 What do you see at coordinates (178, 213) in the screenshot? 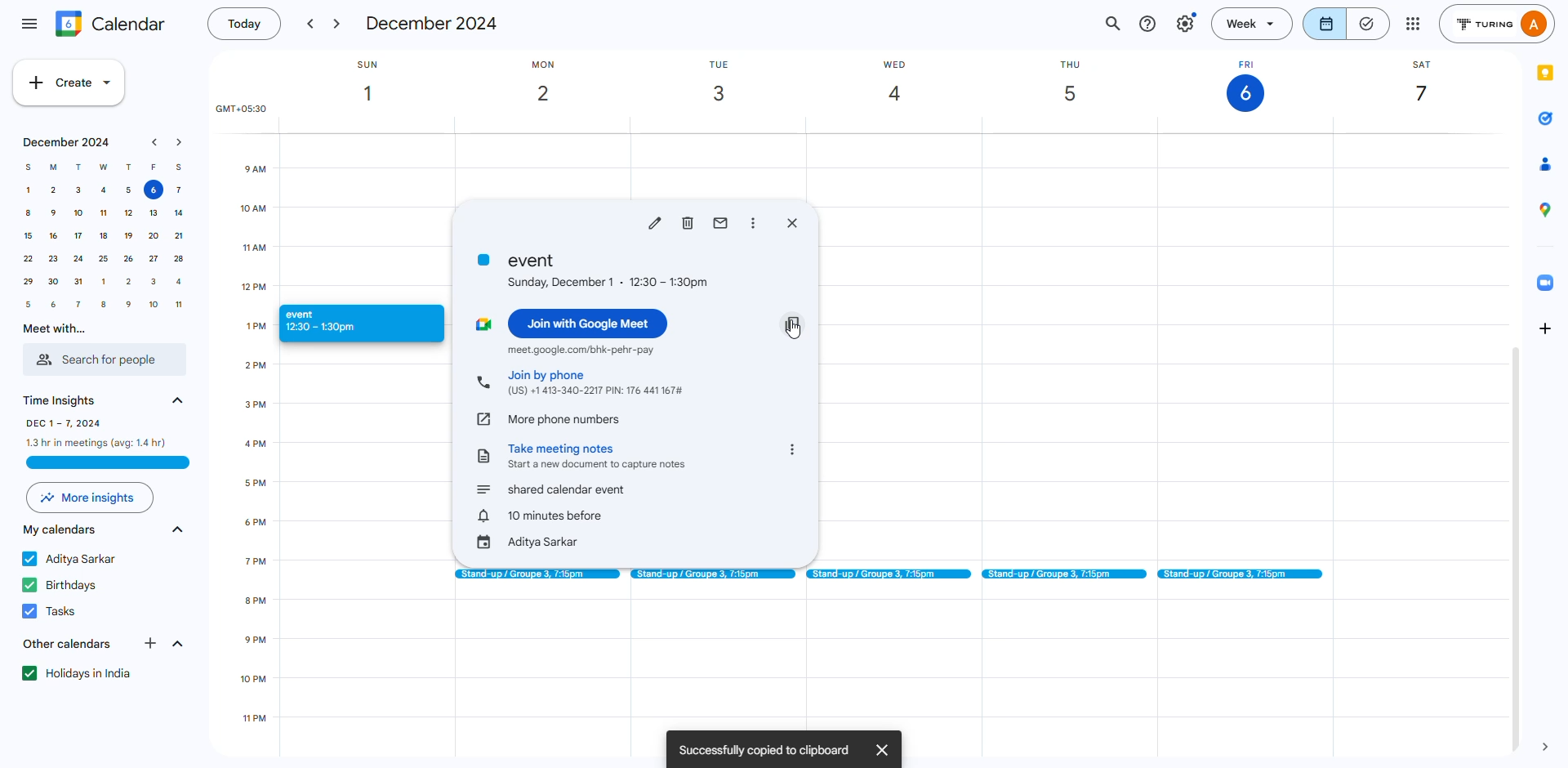
I see ``4` at bounding box center [178, 213].